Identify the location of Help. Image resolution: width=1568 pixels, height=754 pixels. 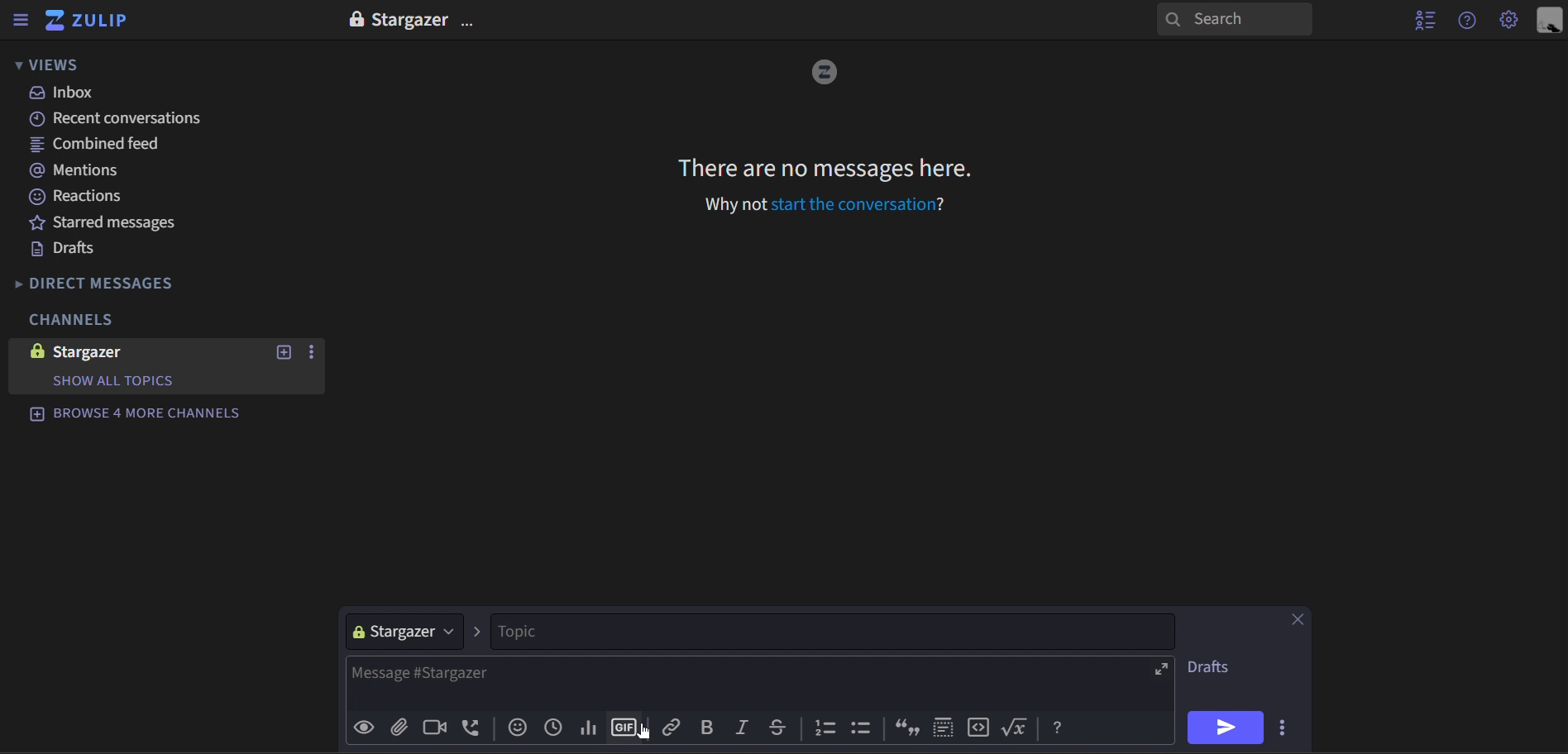
(1060, 727).